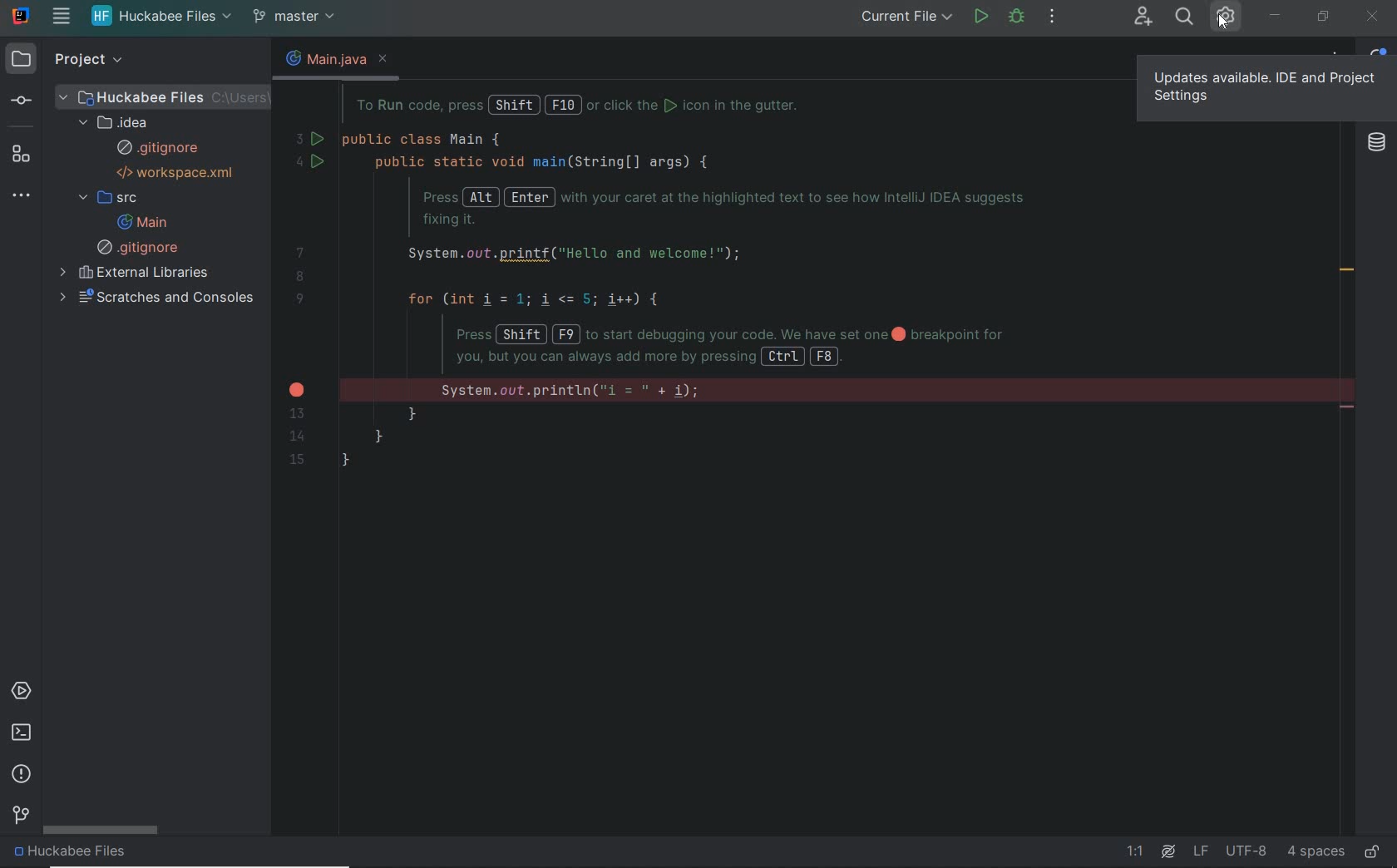  What do you see at coordinates (1378, 144) in the screenshot?
I see `database` at bounding box center [1378, 144].